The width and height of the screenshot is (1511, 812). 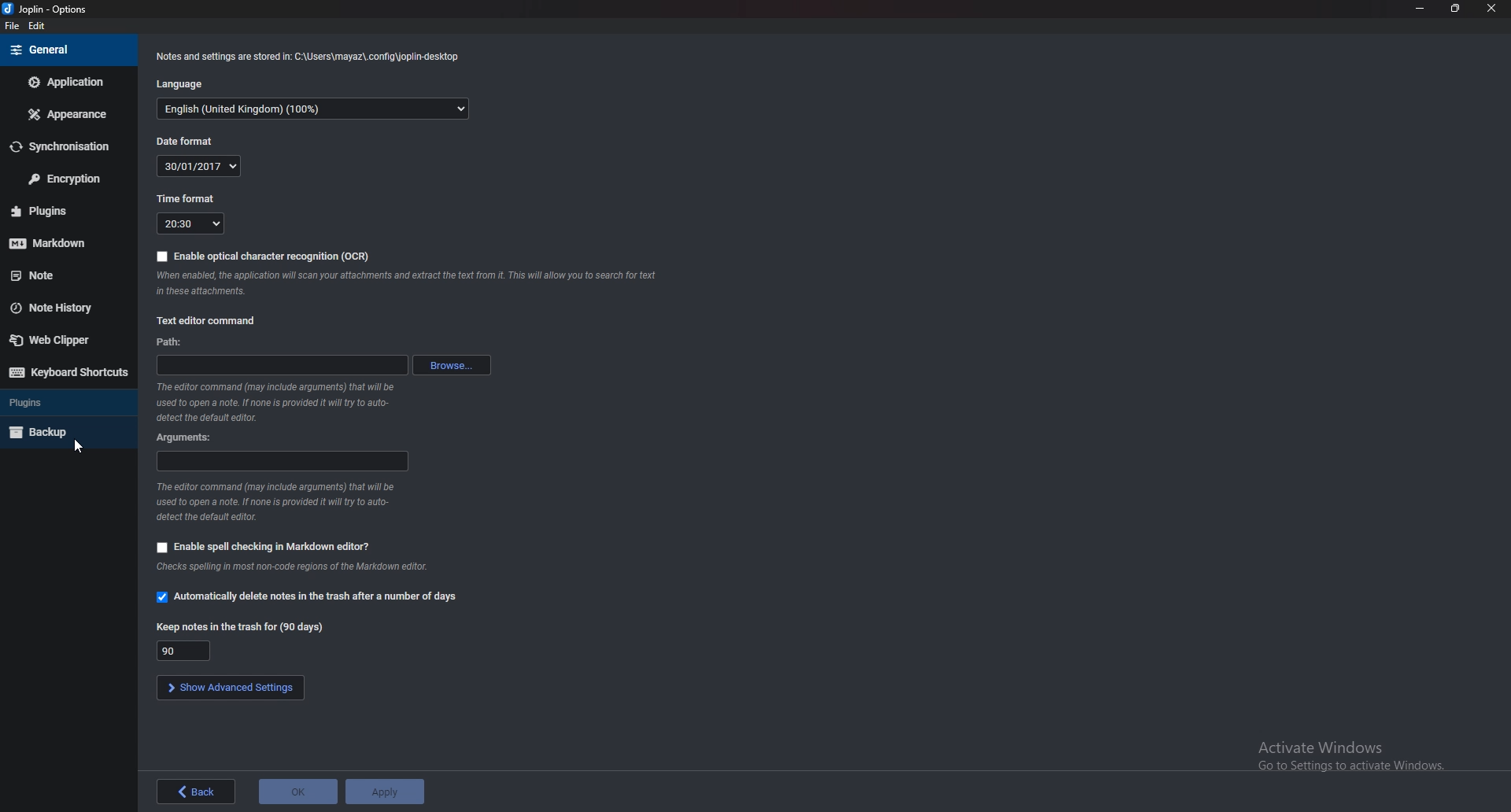 What do you see at coordinates (1422, 9) in the screenshot?
I see `Minimize` at bounding box center [1422, 9].